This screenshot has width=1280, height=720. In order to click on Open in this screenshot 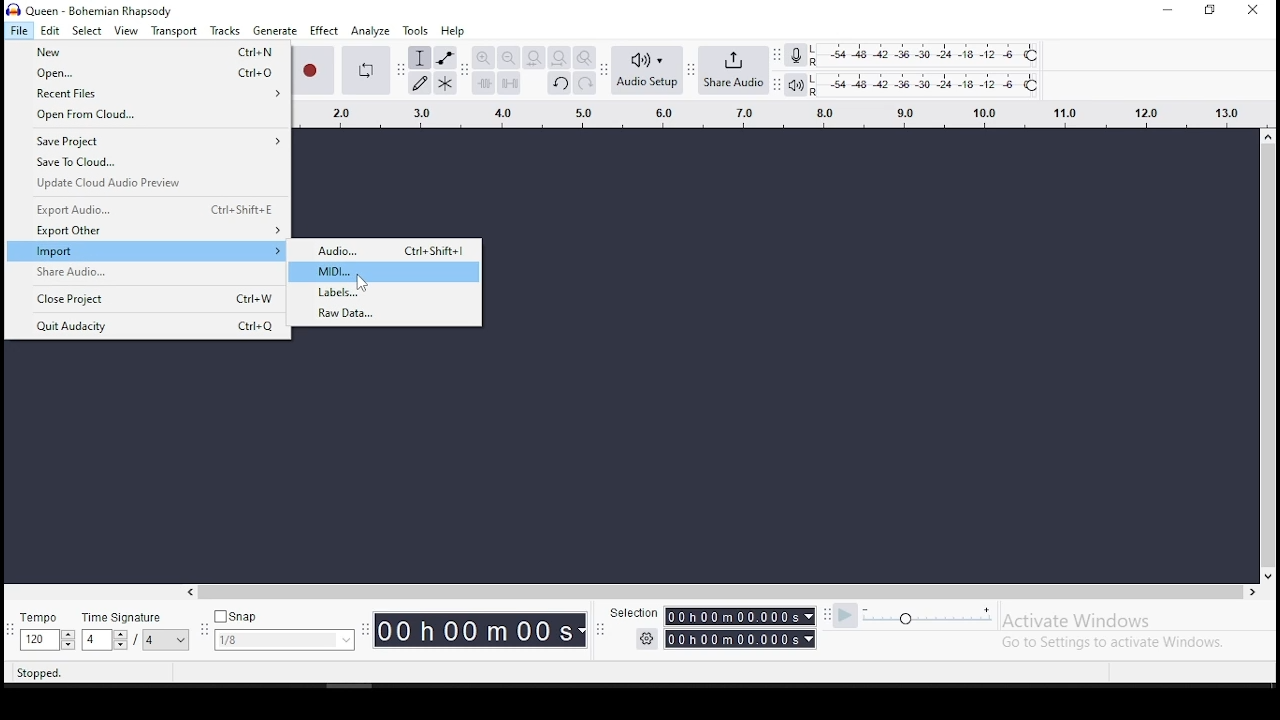, I will do `click(146, 74)`.